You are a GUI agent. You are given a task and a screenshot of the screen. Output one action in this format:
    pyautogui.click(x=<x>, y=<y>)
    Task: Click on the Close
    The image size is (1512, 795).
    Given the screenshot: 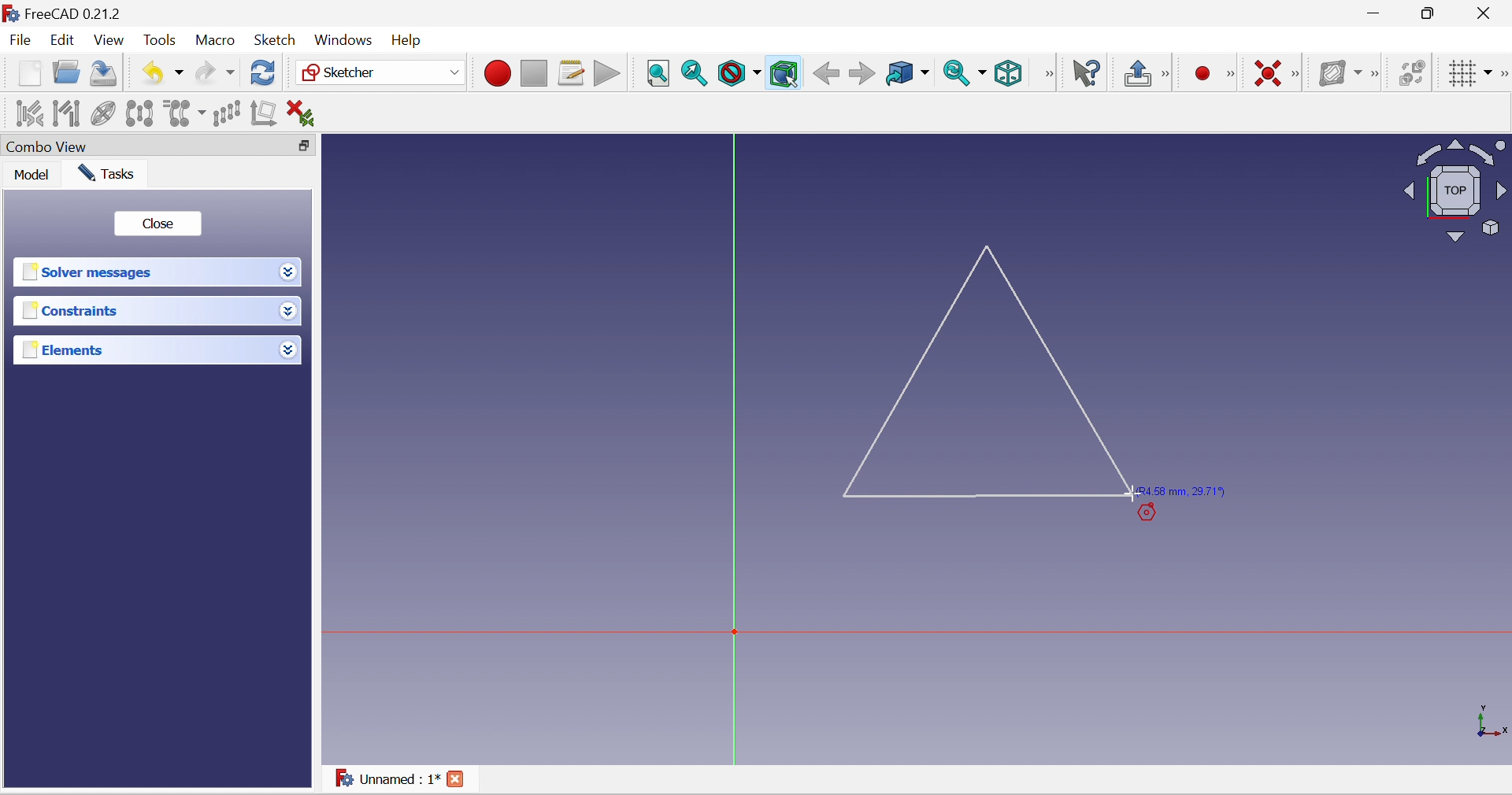 What is the action you would take?
    pyautogui.click(x=454, y=778)
    